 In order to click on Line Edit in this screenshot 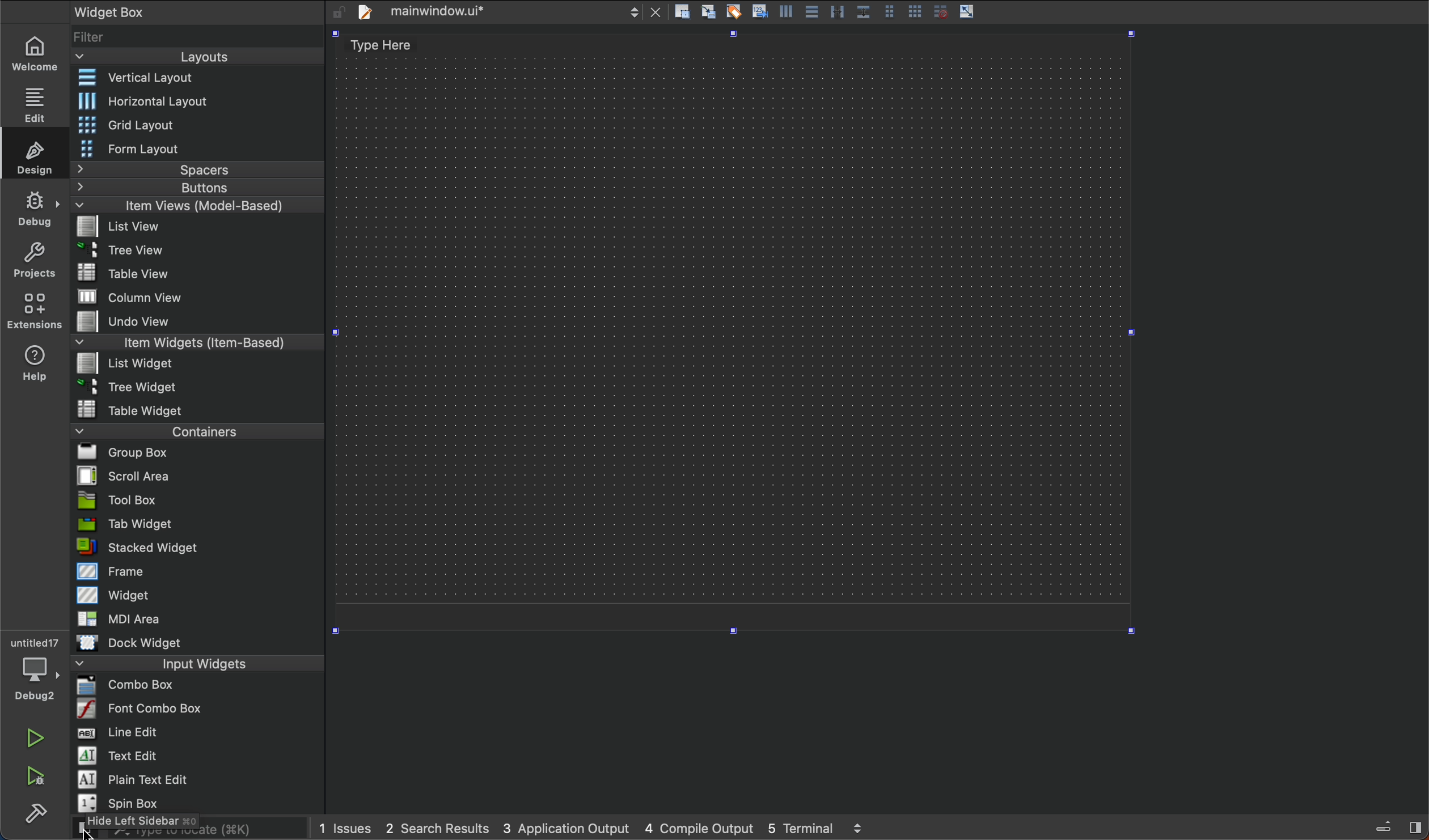, I will do `click(119, 733)`.